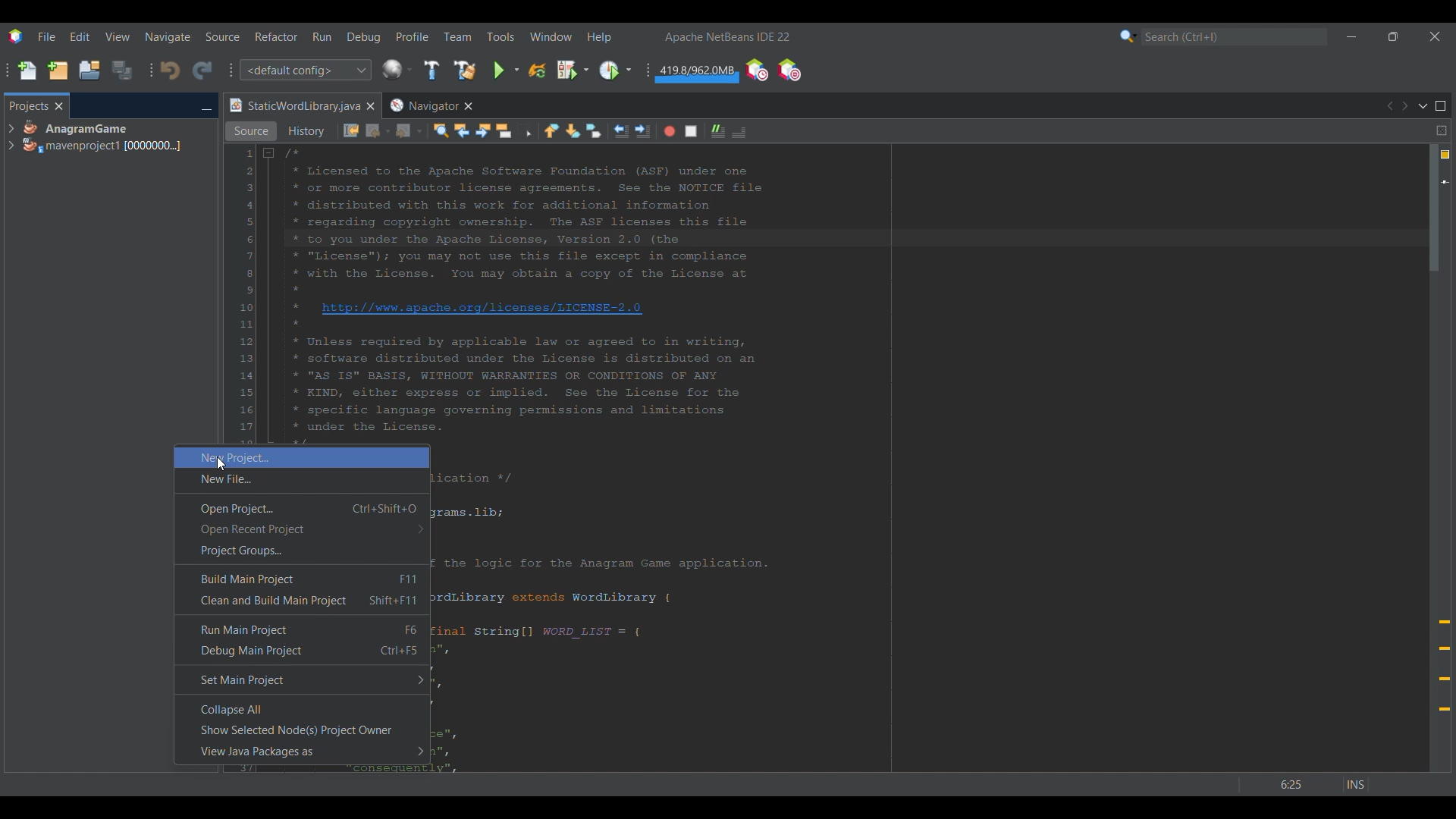  What do you see at coordinates (457, 36) in the screenshot?
I see `Team menu` at bounding box center [457, 36].